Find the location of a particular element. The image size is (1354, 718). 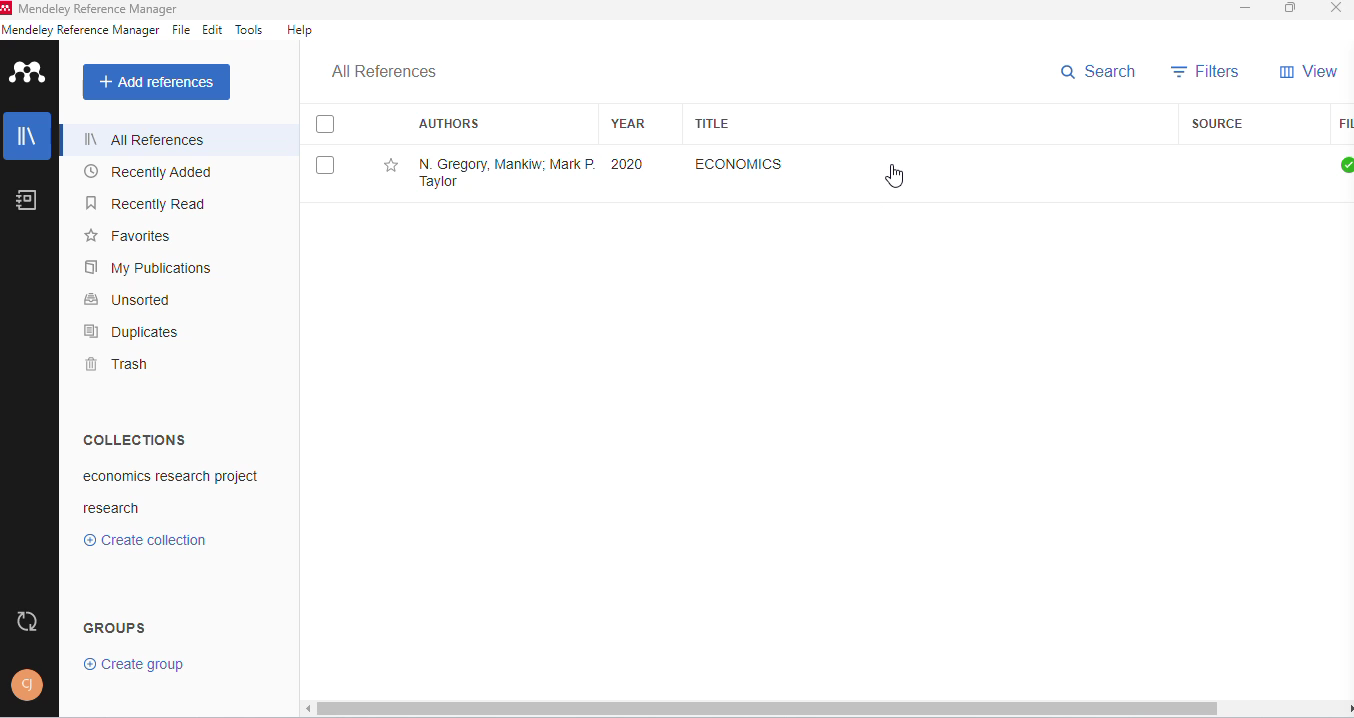

minimize is located at coordinates (1247, 9).